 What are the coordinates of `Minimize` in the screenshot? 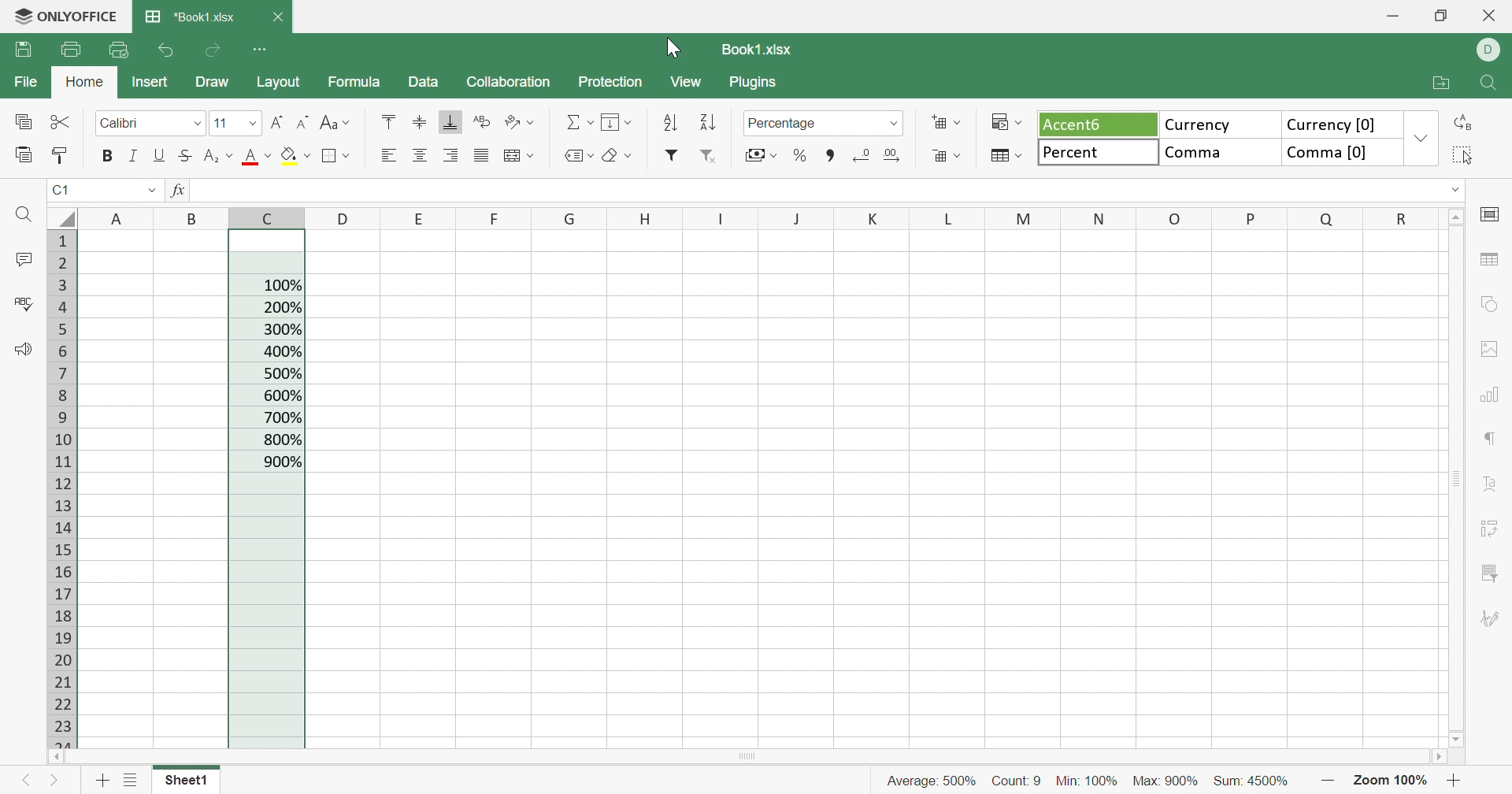 It's located at (1396, 16).